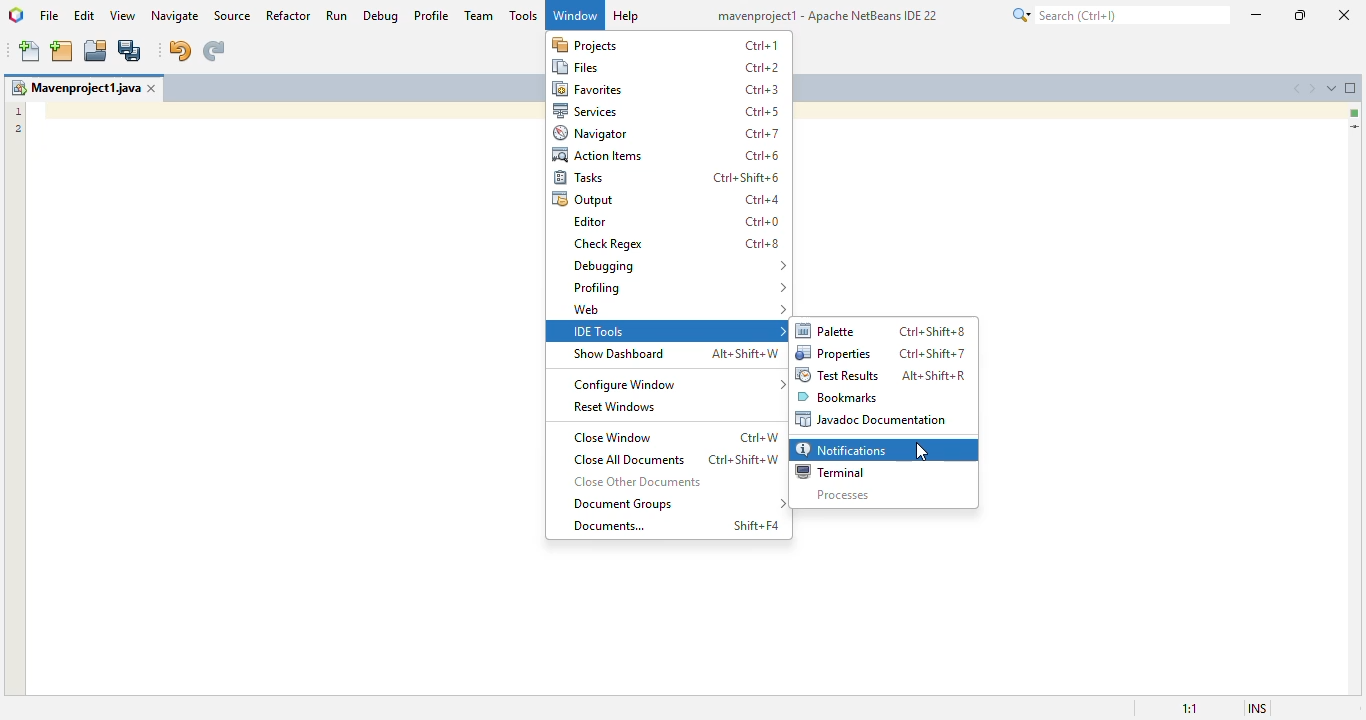 This screenshot has width=1366, height=720. What do you see at coordinates (679, 385) in the screenshot?
I see `configure window` at bounding box center [679, 385].